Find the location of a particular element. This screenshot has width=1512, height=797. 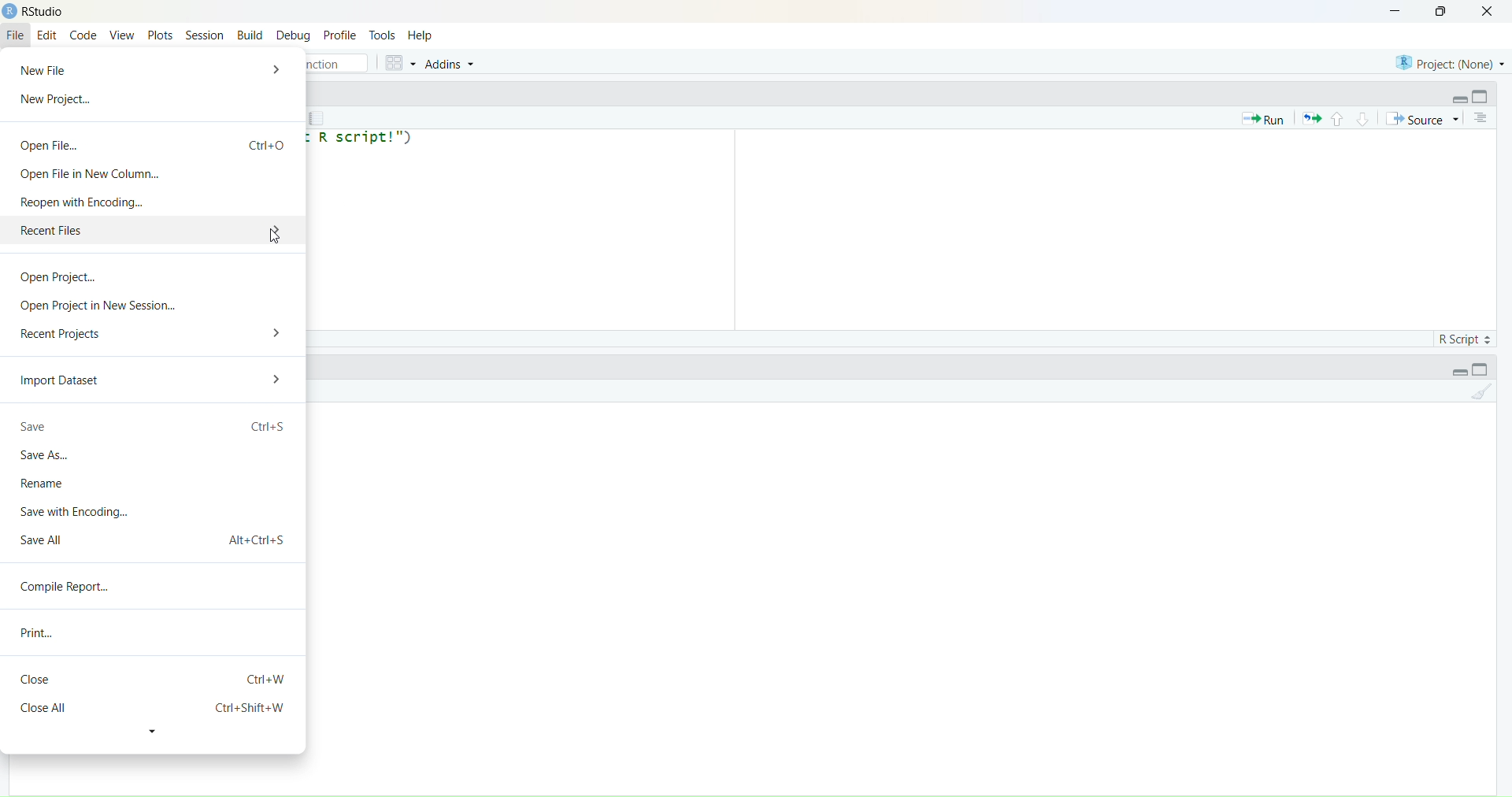

New File is located at coordinates (52, 69).